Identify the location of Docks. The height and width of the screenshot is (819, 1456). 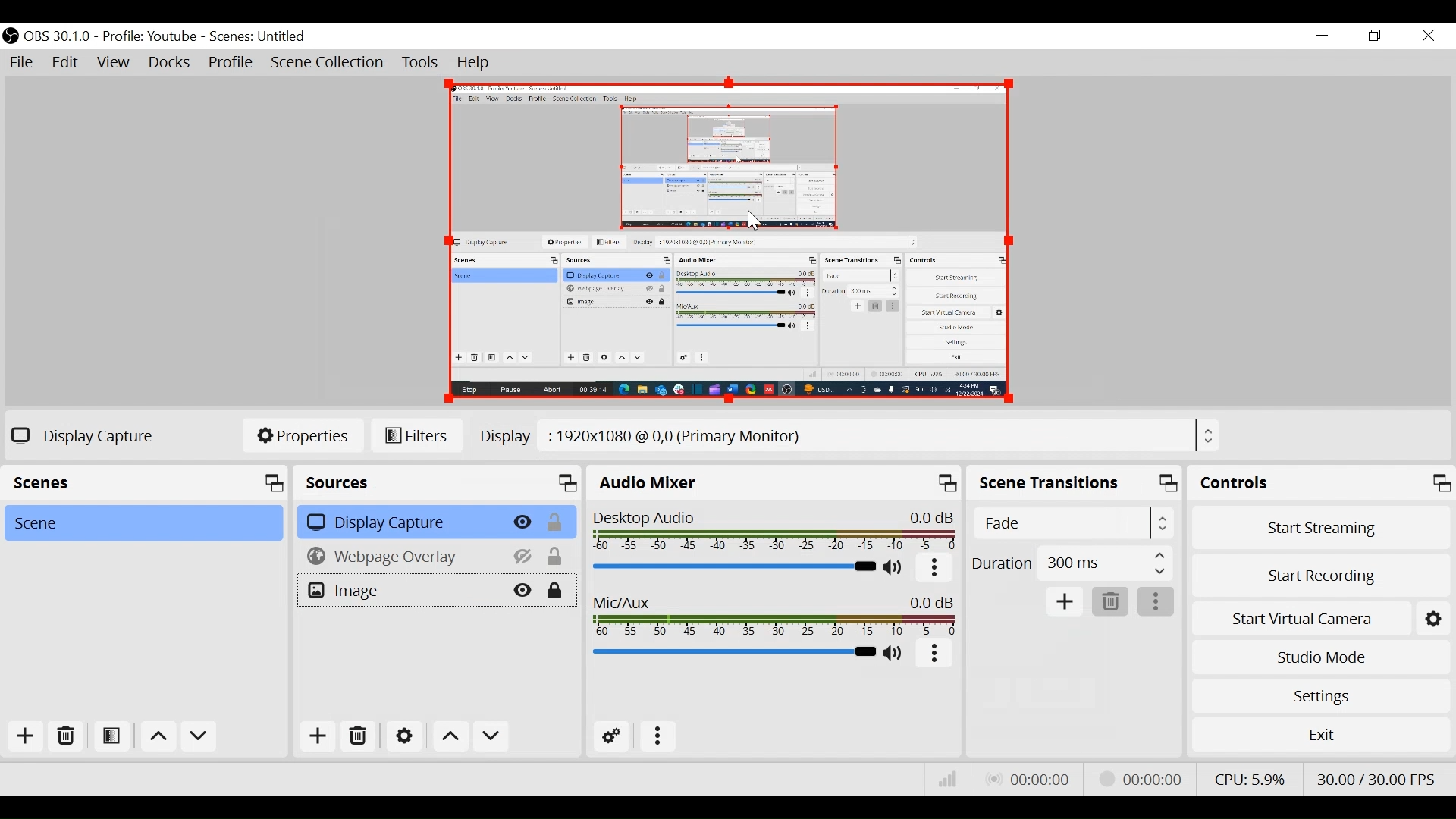
(171, 63).